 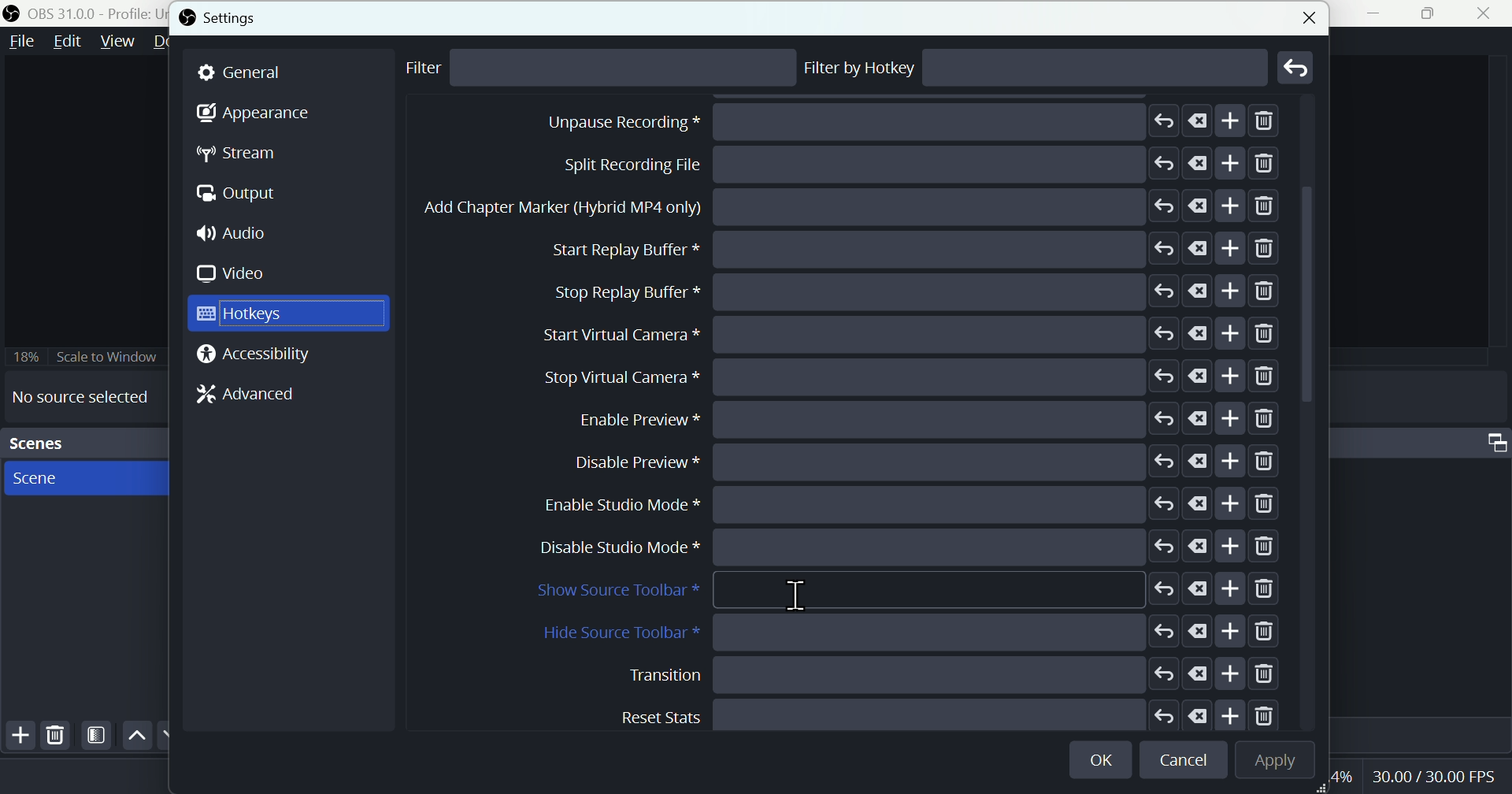 What do you see at coordinates (23, 42) in the screenshot?
I see `file` at bounding box center [23, 42].